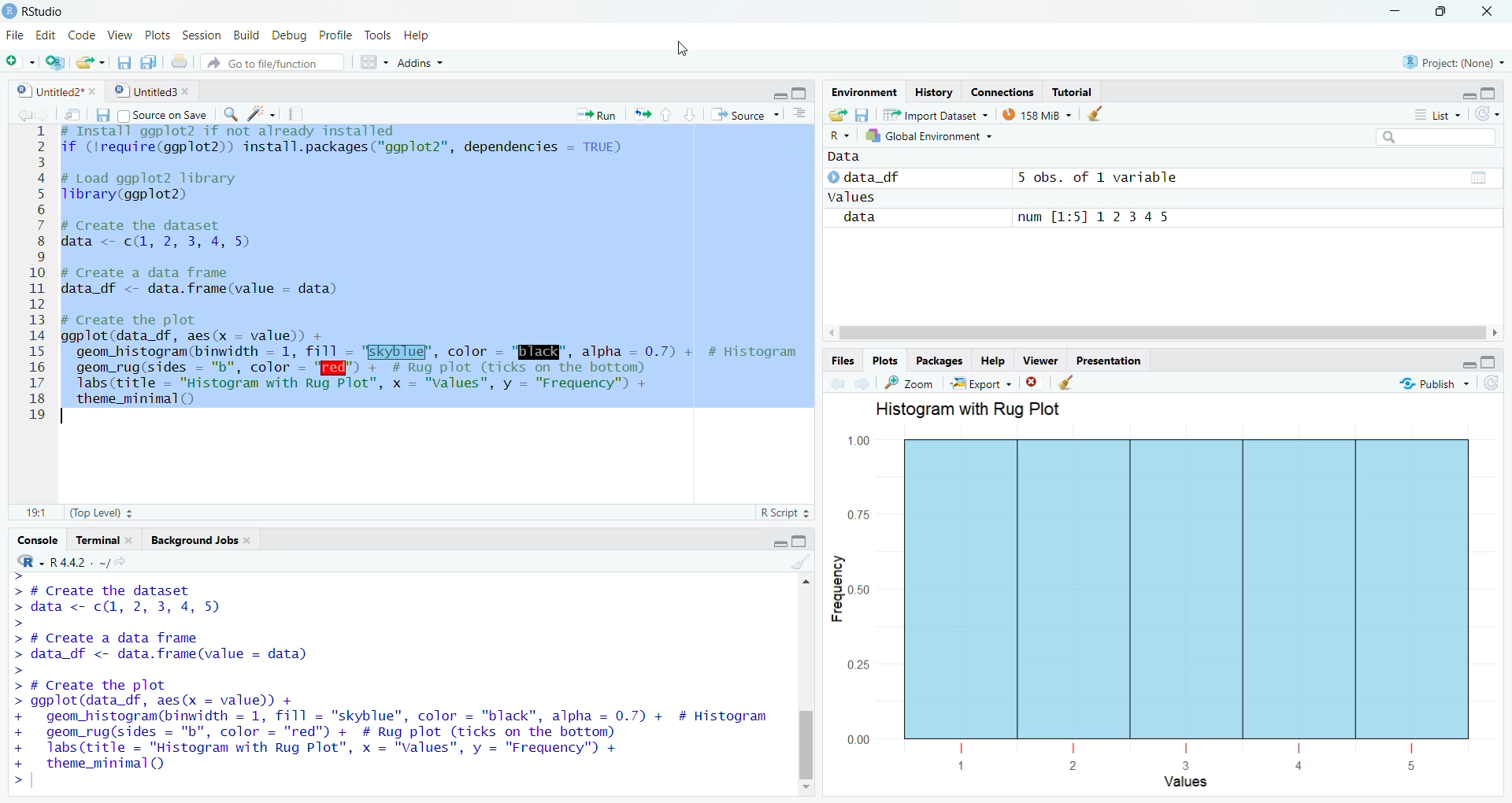 Image resolution: width=1512 pixels, height=803 pixels. I want to click on forward /backward, so click(847, 383).